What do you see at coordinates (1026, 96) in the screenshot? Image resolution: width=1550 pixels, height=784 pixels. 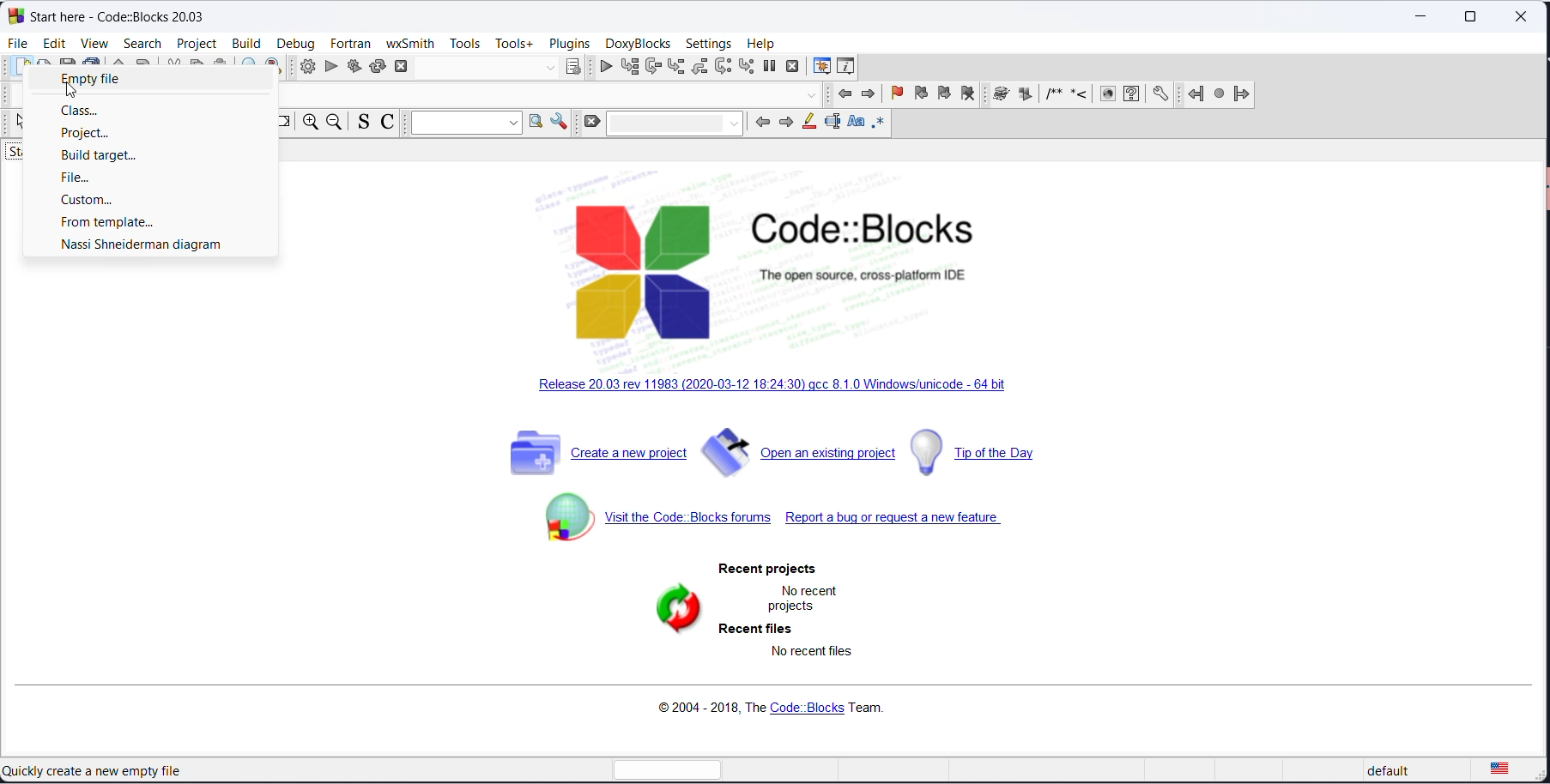 I see `Extract` at bounding box center [1026, 96].